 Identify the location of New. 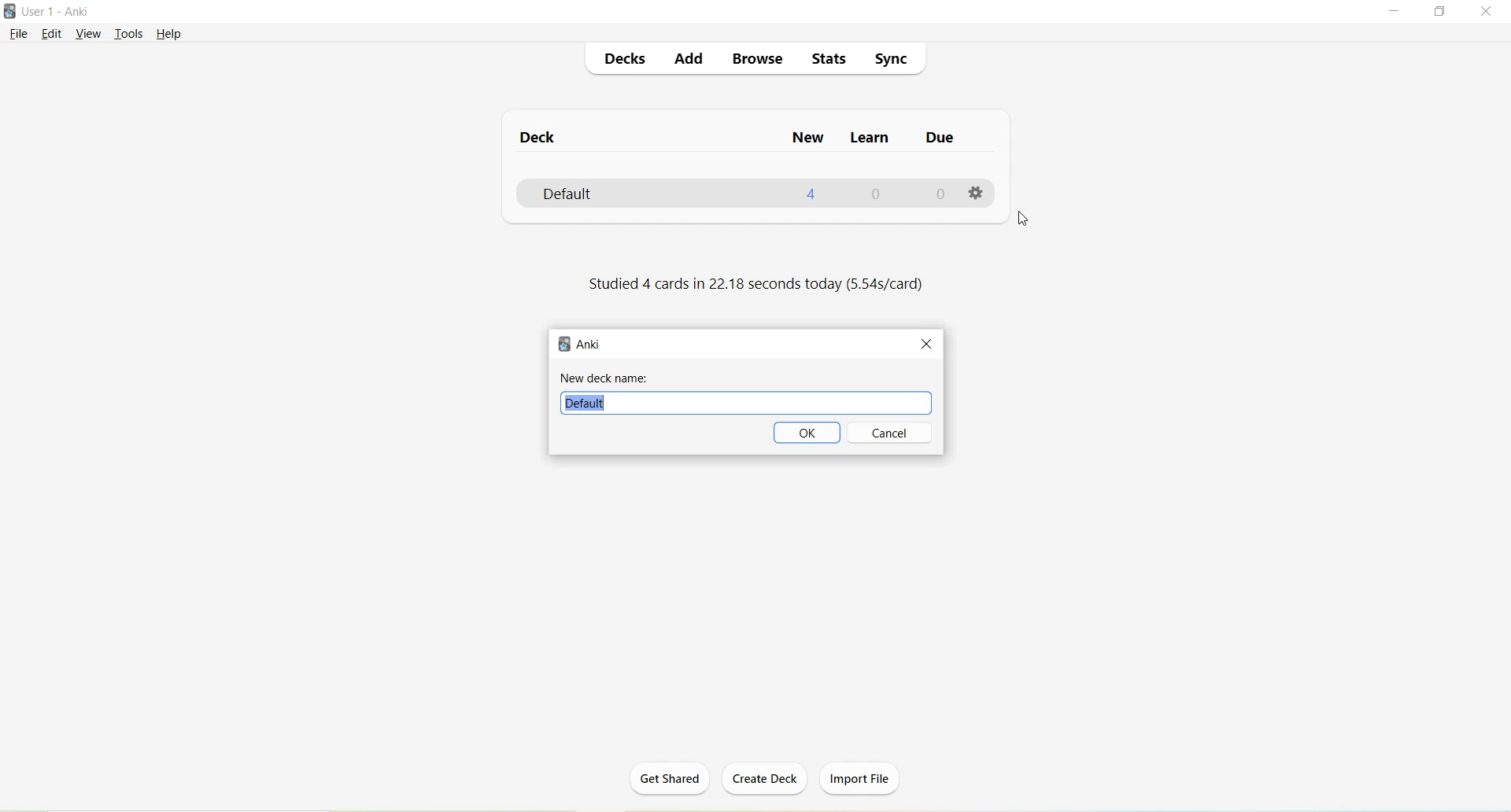
(807, 139).